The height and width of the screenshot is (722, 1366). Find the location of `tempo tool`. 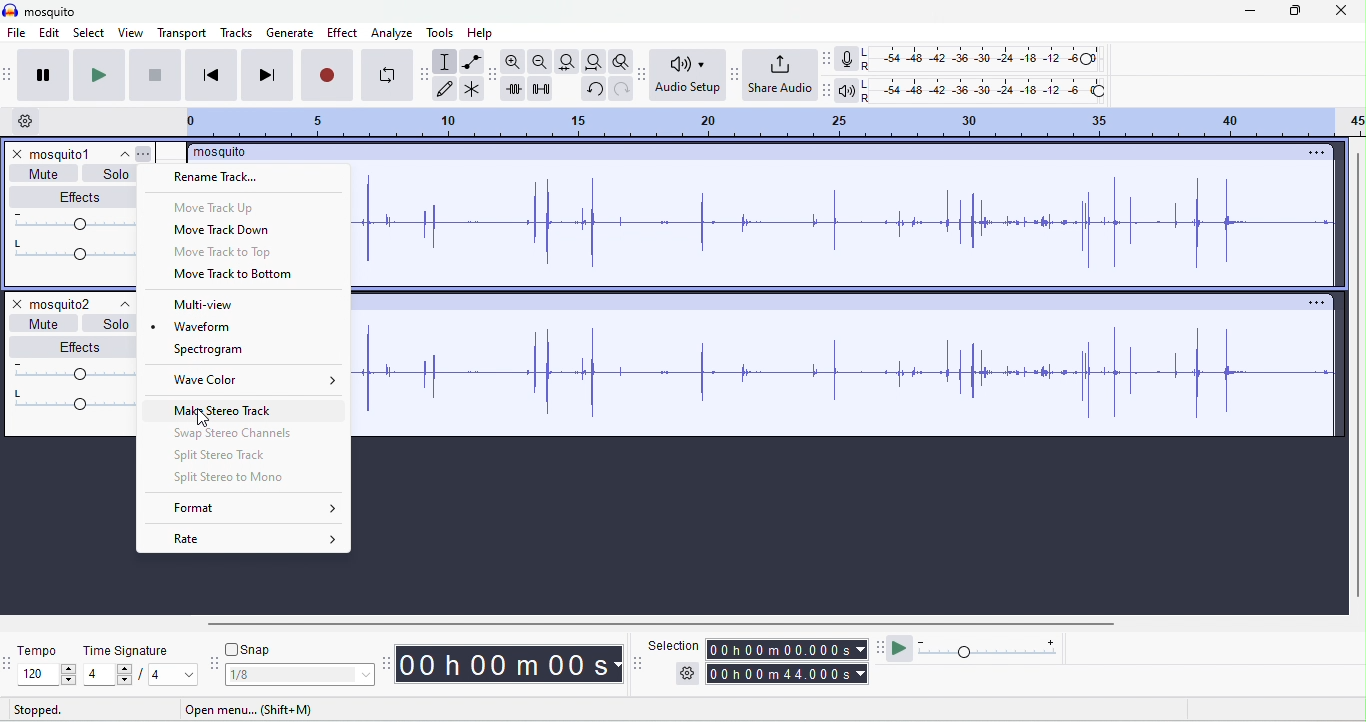

tempo tool is located at coordinates (9, 664).